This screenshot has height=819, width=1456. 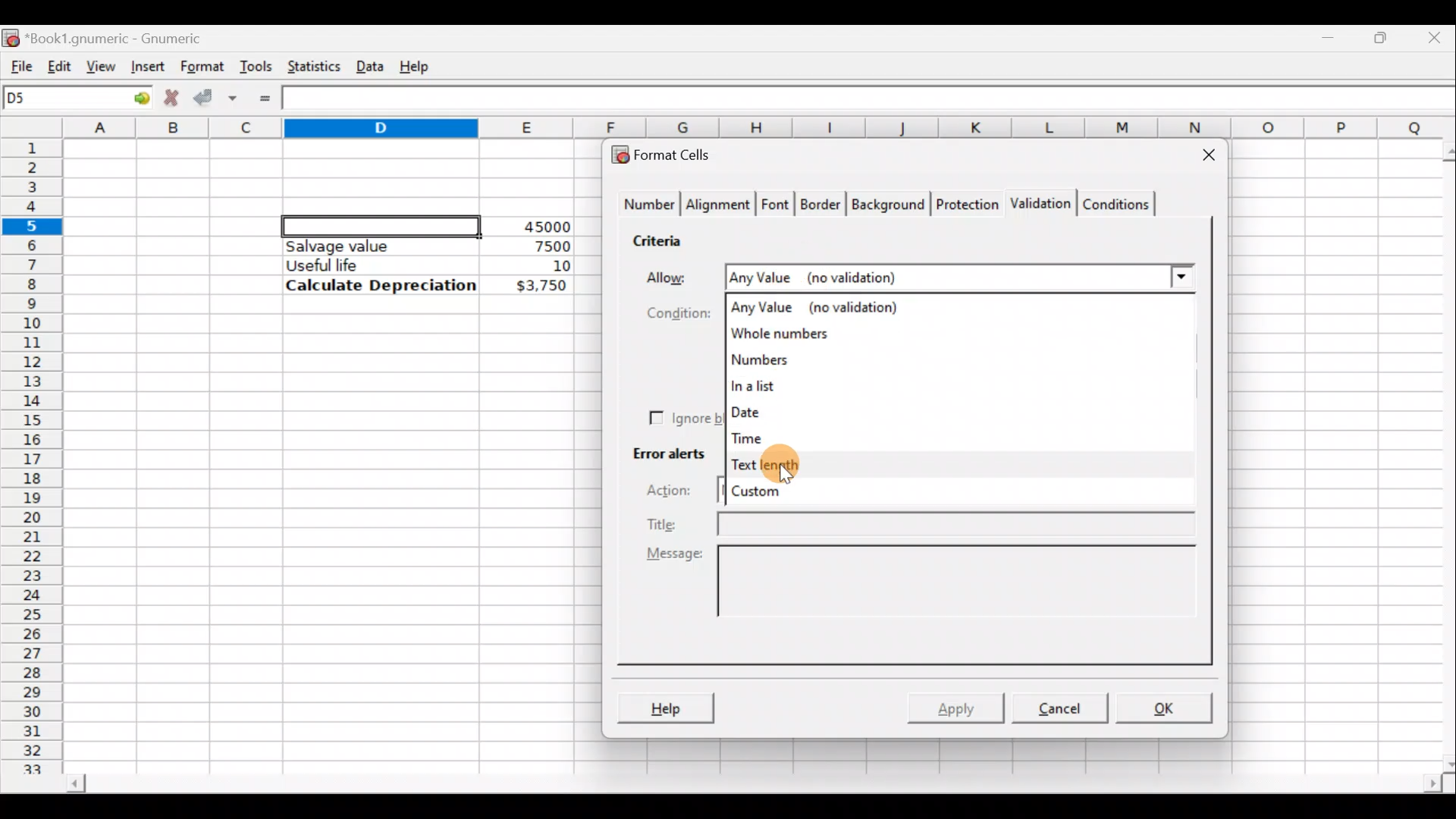 I want to click on Conditions, so click(x=1116, y=203).